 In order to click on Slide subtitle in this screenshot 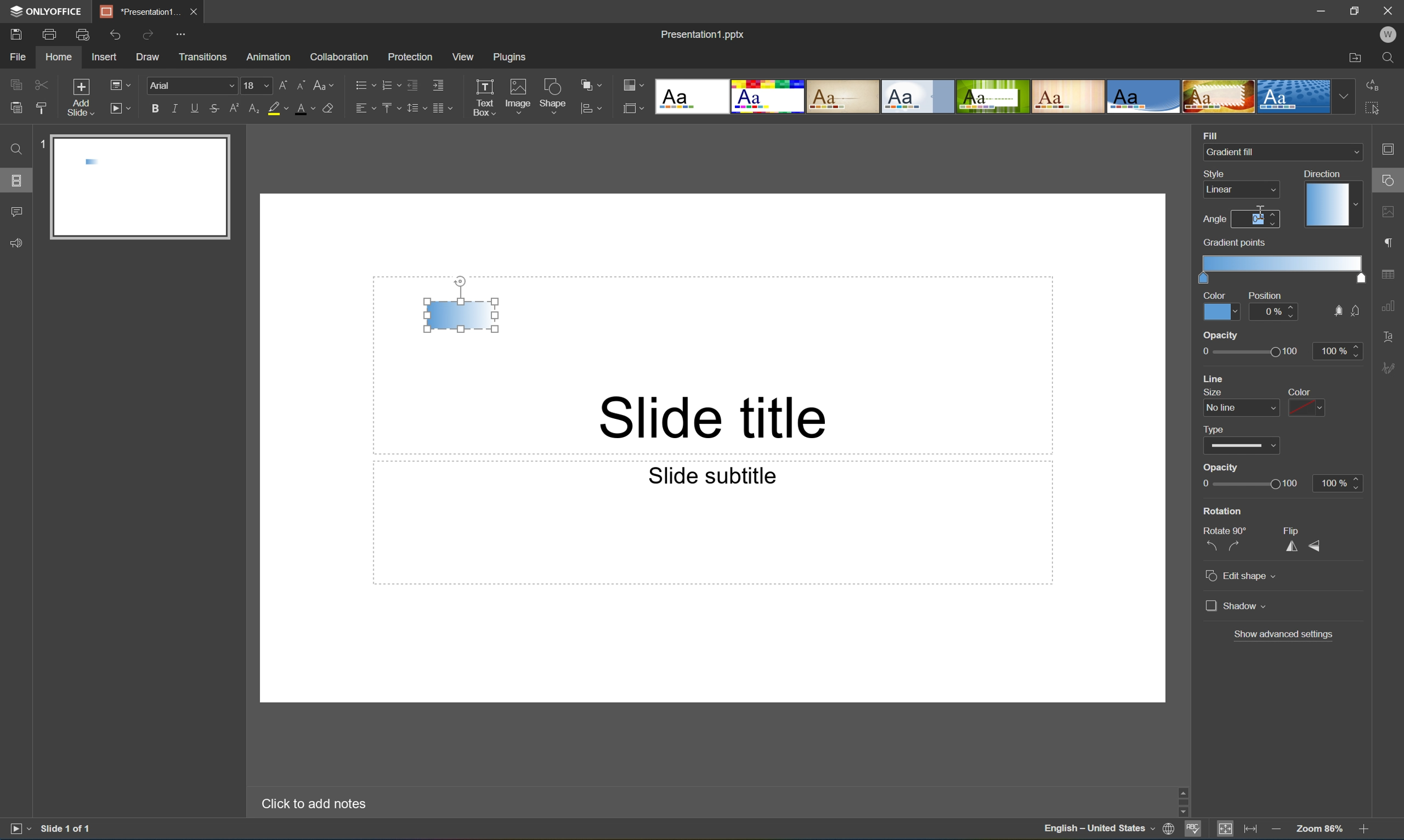, I will do `click(709, 474)`.